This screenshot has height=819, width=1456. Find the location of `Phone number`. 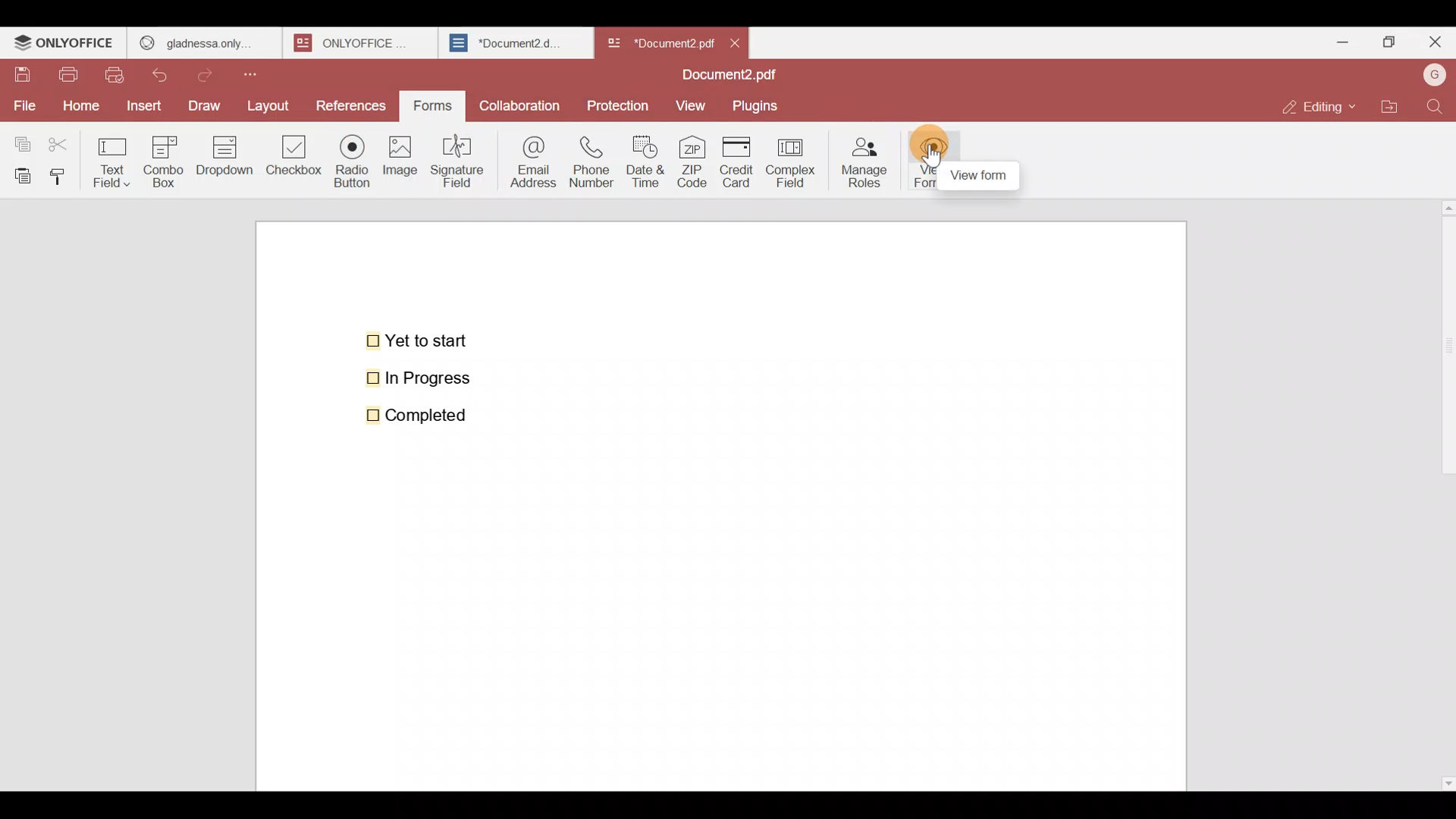

Phone number is located at coordinates (593, 162).